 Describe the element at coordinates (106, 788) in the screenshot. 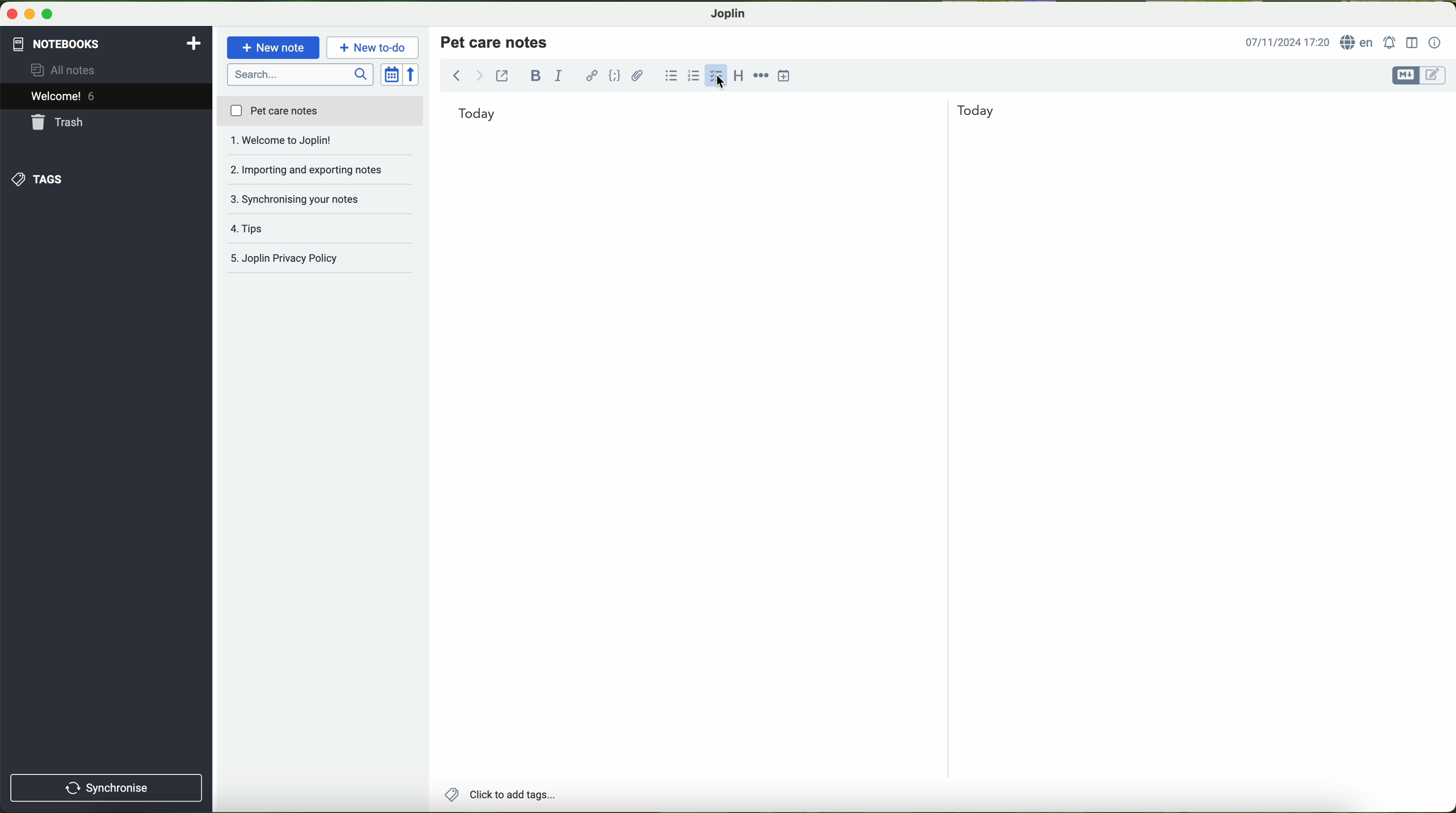

I see `synchronise button` at that location.